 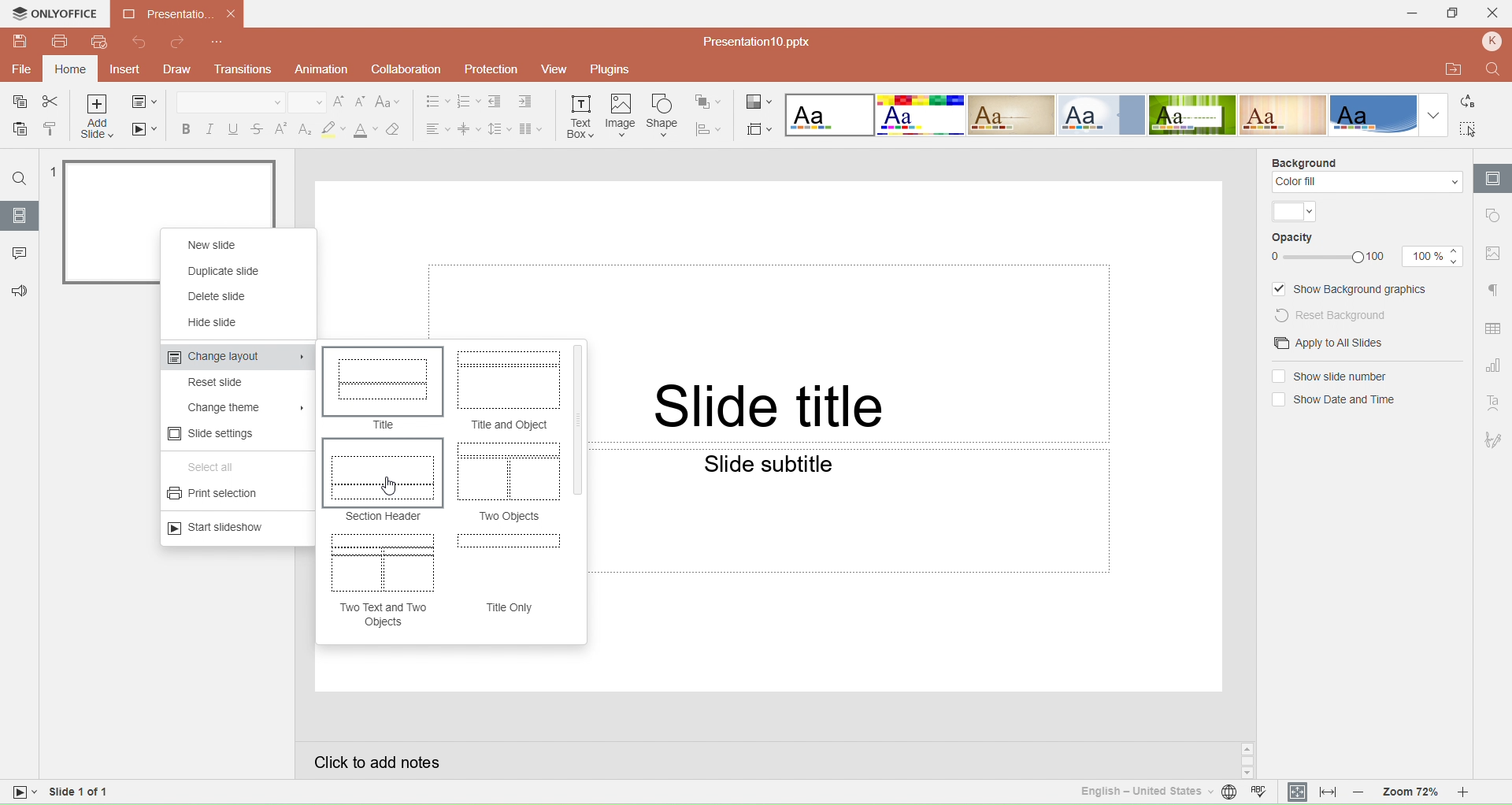 What do you see at coordinates (1470, 128) in the screenshot?
I see `Select all` at bounding box center [1470, 128].